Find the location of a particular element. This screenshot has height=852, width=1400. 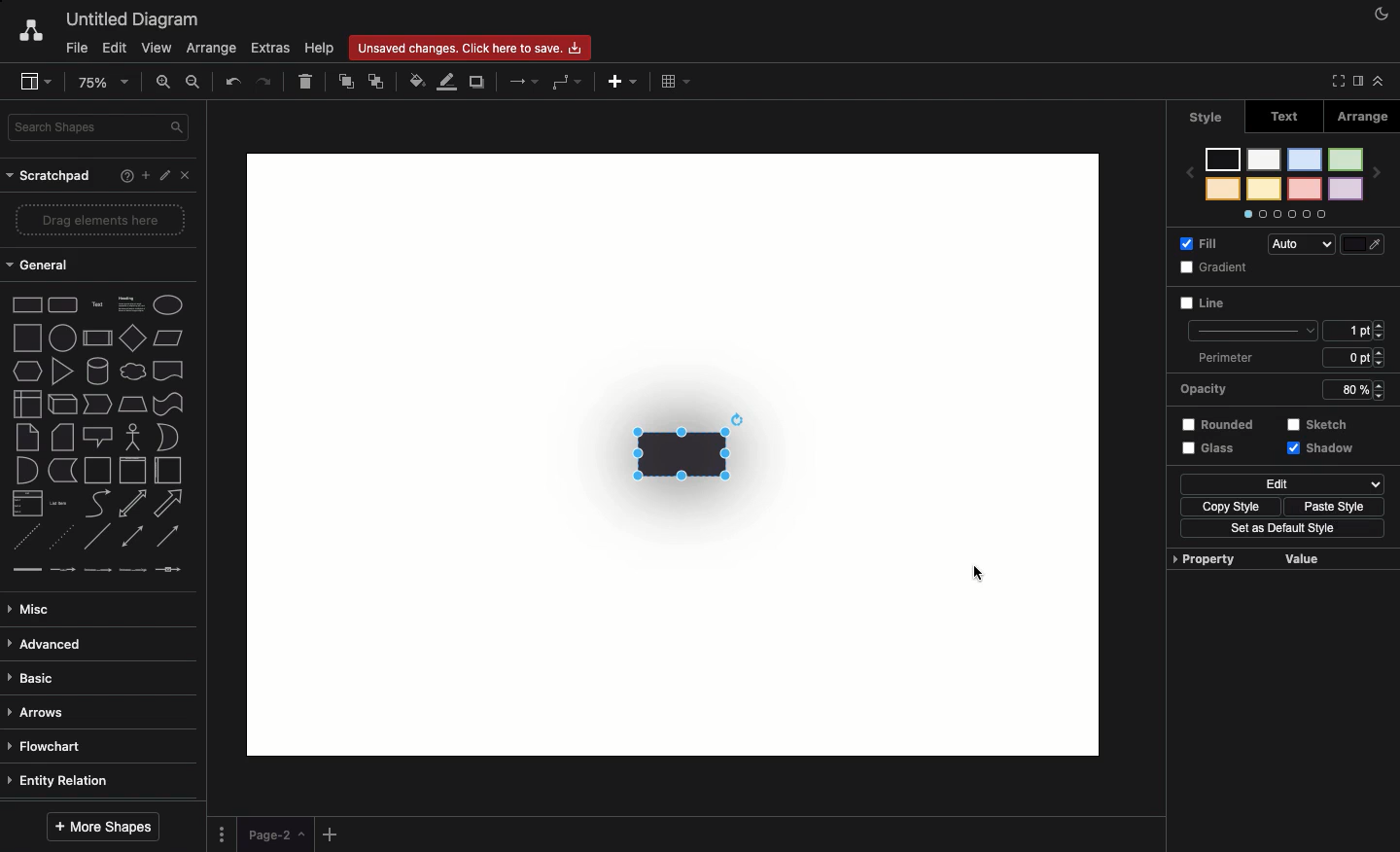

Draw.io is located at coordinates (32, 34).